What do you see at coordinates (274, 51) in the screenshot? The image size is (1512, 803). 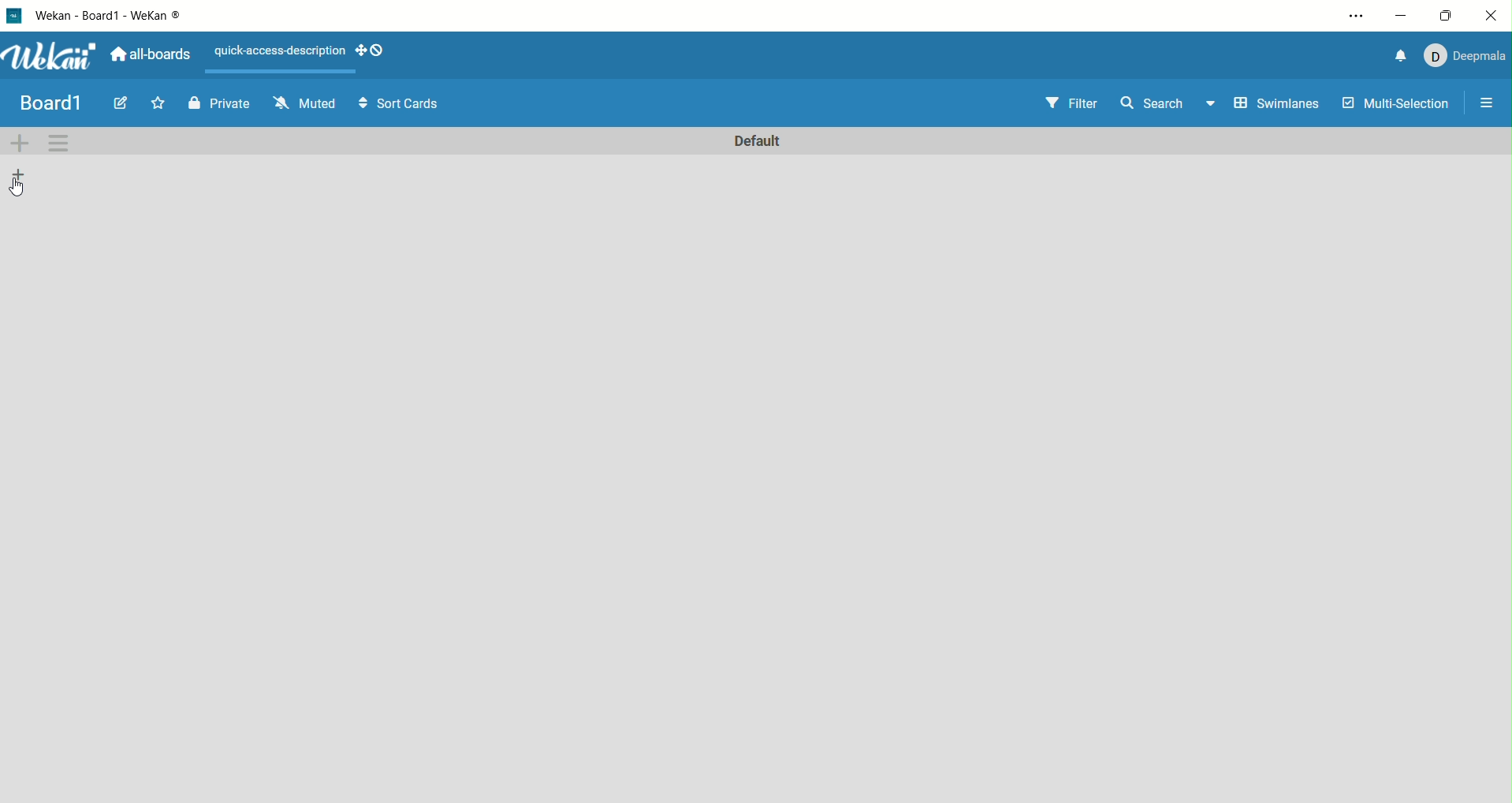 I see `text` at bounding box center [274, 51].